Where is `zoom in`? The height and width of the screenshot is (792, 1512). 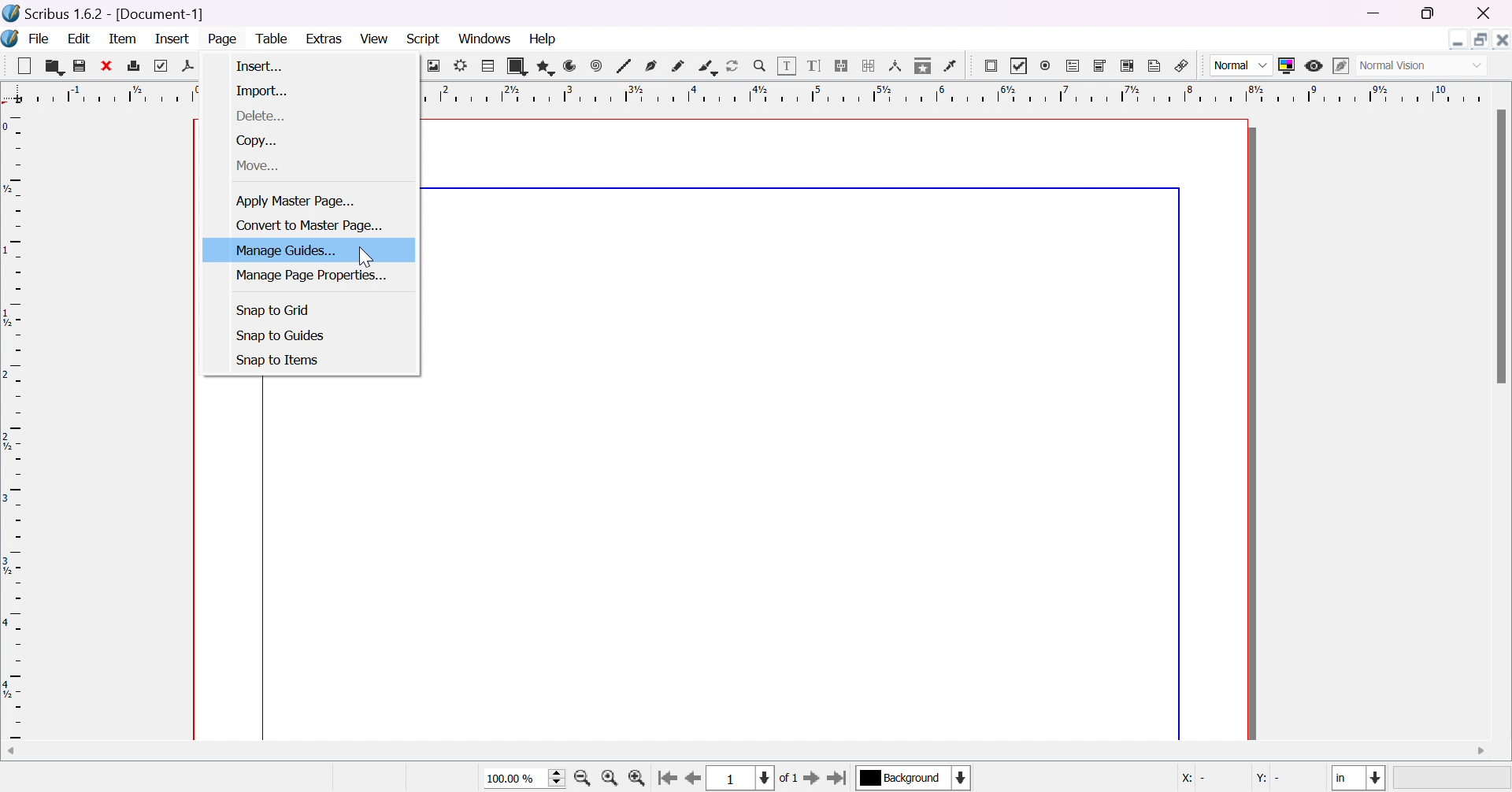 zoom in is located at coordinates (638, 777).